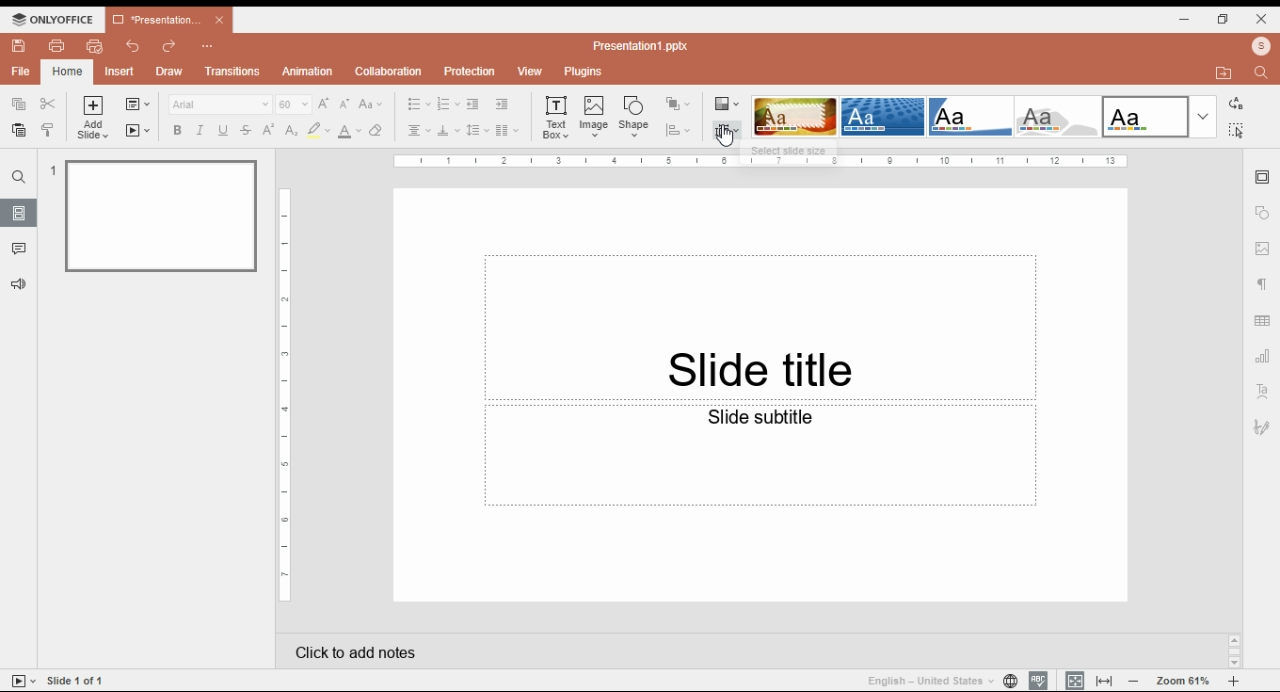 Image resolution: width=1280 pixels, height=692 pixels. I want to click on profile, so click(1261, 46).